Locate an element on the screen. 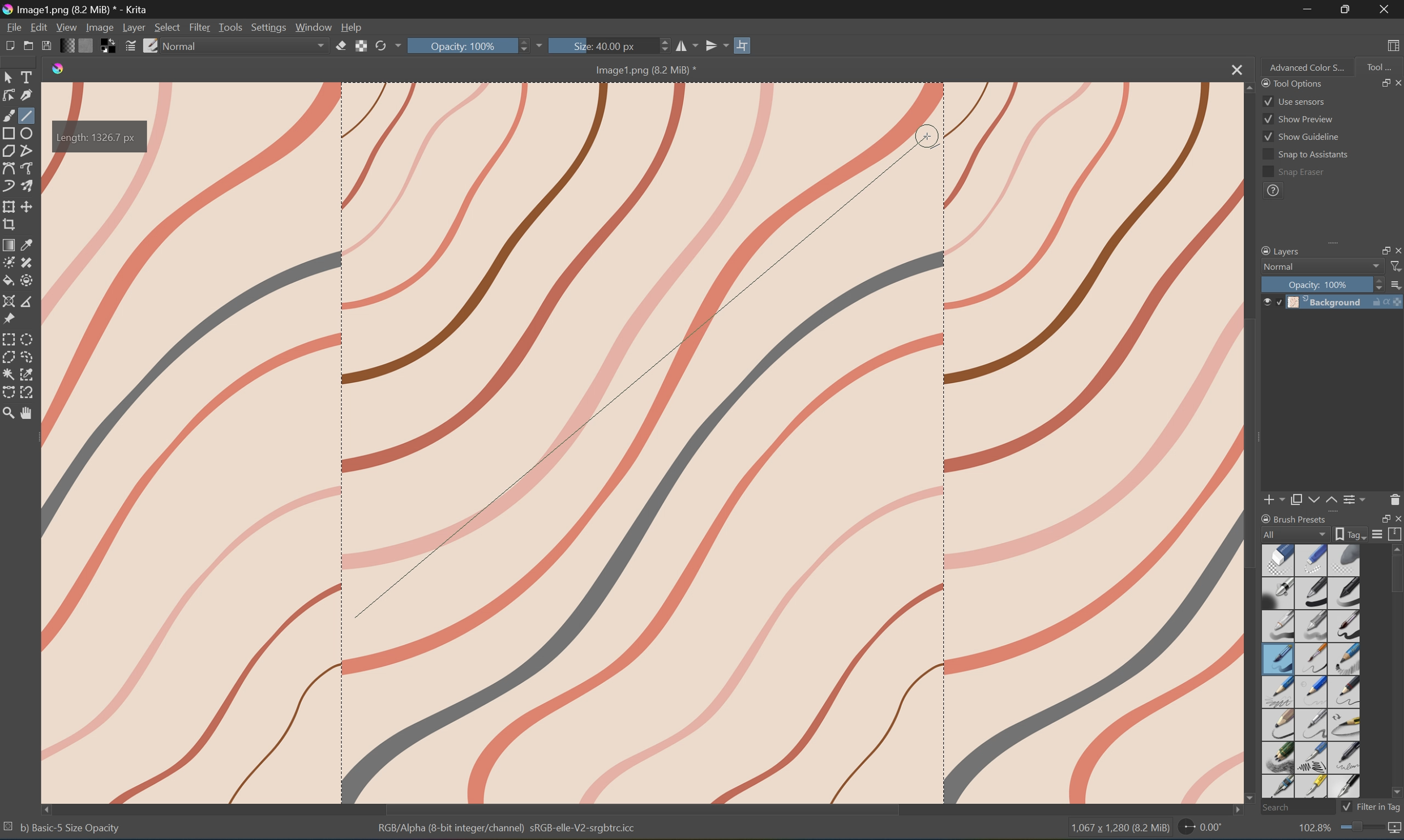 Image resolution: width=1404 pixels, height=840 pixels. Close is located at coordinates (1396, 518).